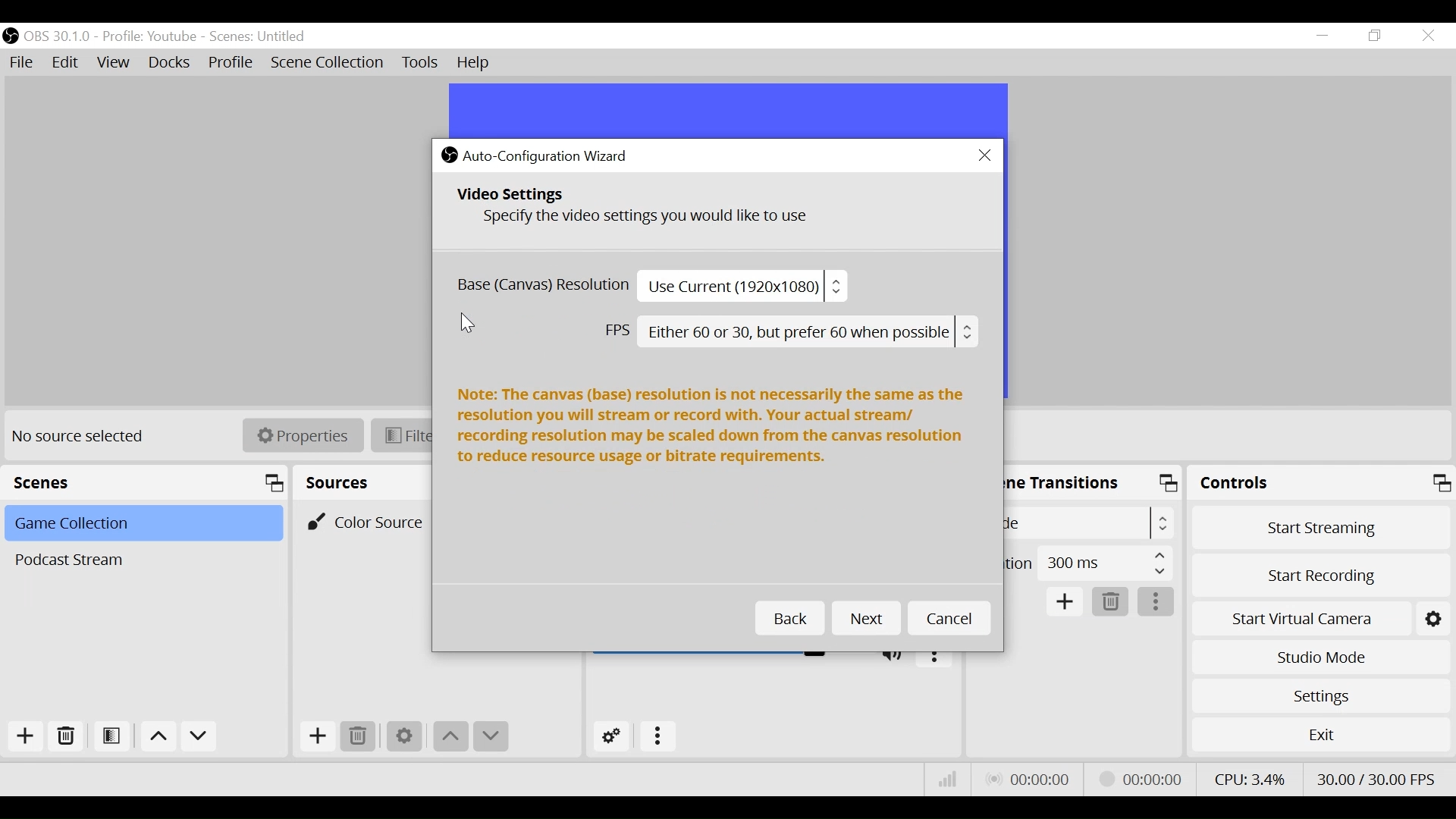 The width and height of the screenshot is (1456, 819). What do you see at coordinates (866, 619) in the screenshot?
I see `Next` at bounding box center [866, 619].